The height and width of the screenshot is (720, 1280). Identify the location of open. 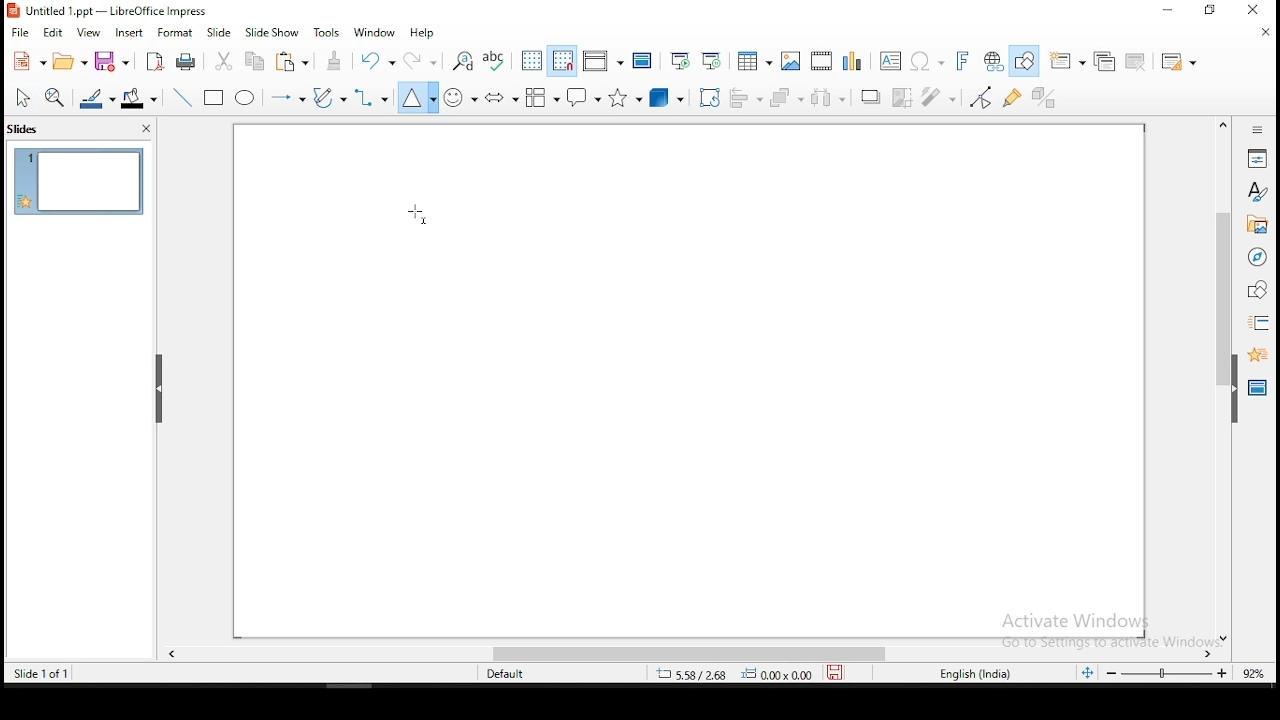
(71, 64).